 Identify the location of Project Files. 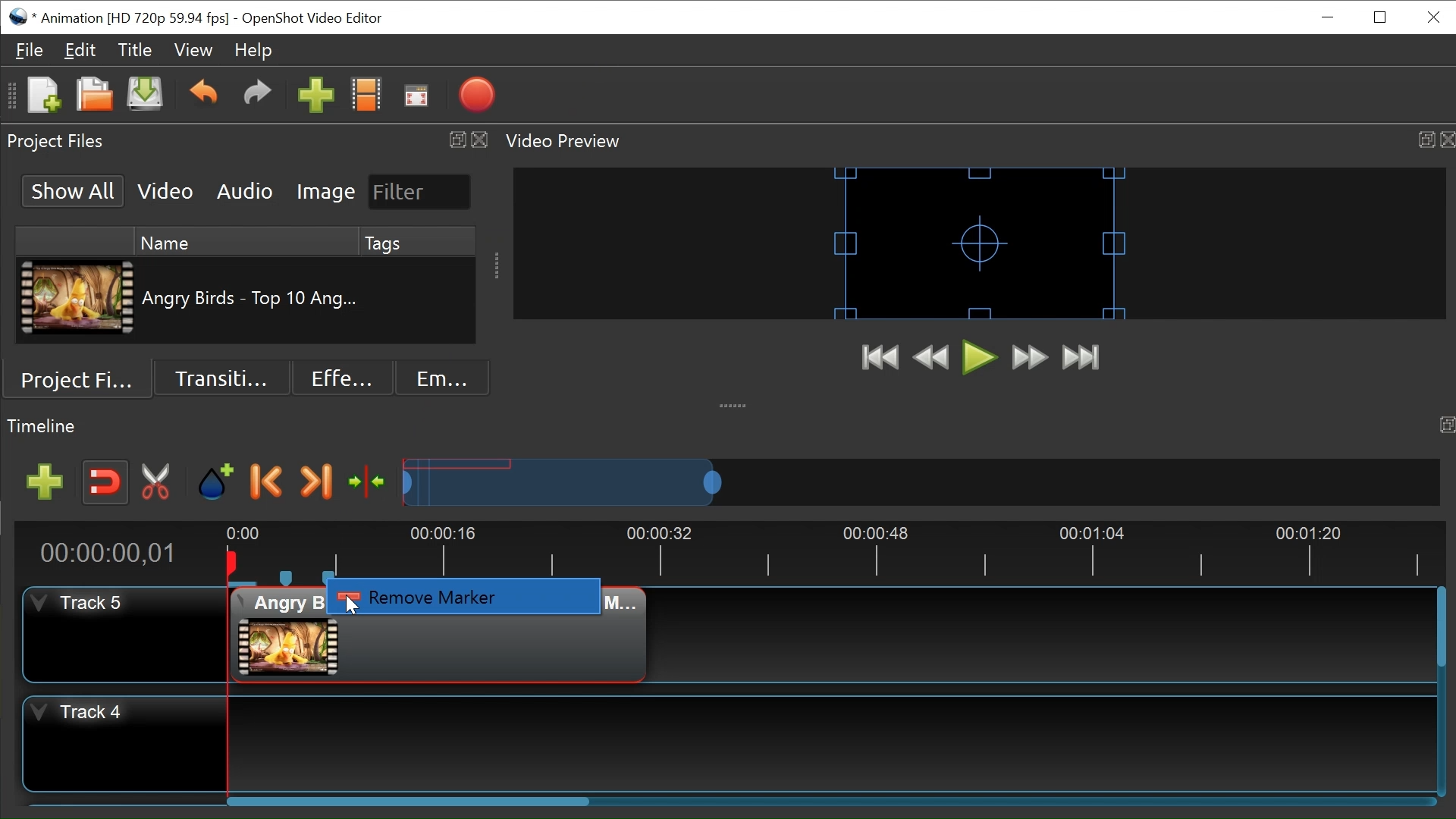
(83, 378).